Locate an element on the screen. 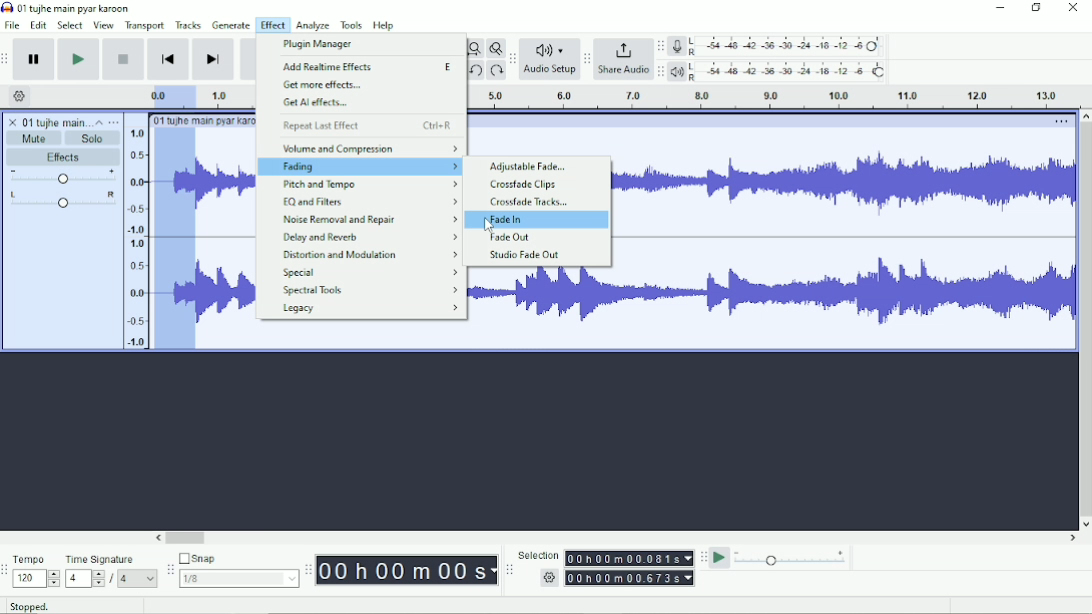 The image size is (1092, 614). Horizontal scrollbar is located at coordinates (617, 539).